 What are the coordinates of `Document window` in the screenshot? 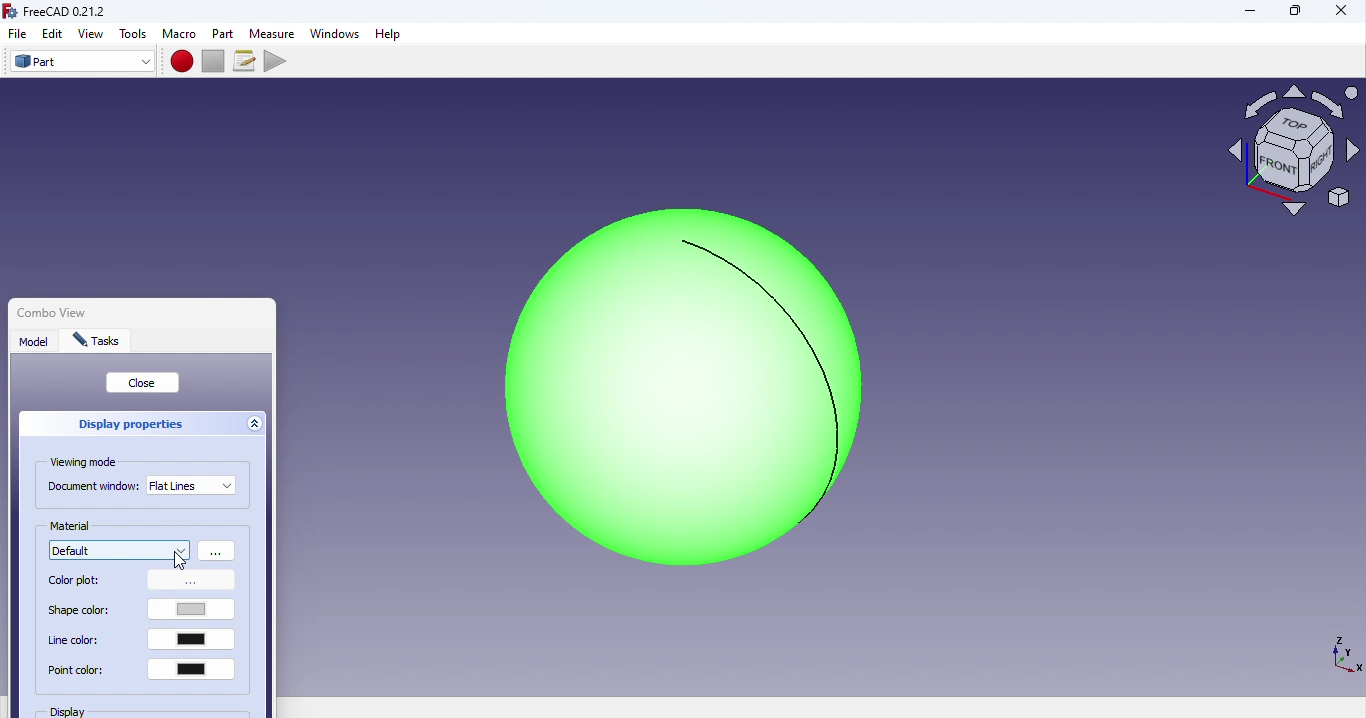 It's located at (93, 488).